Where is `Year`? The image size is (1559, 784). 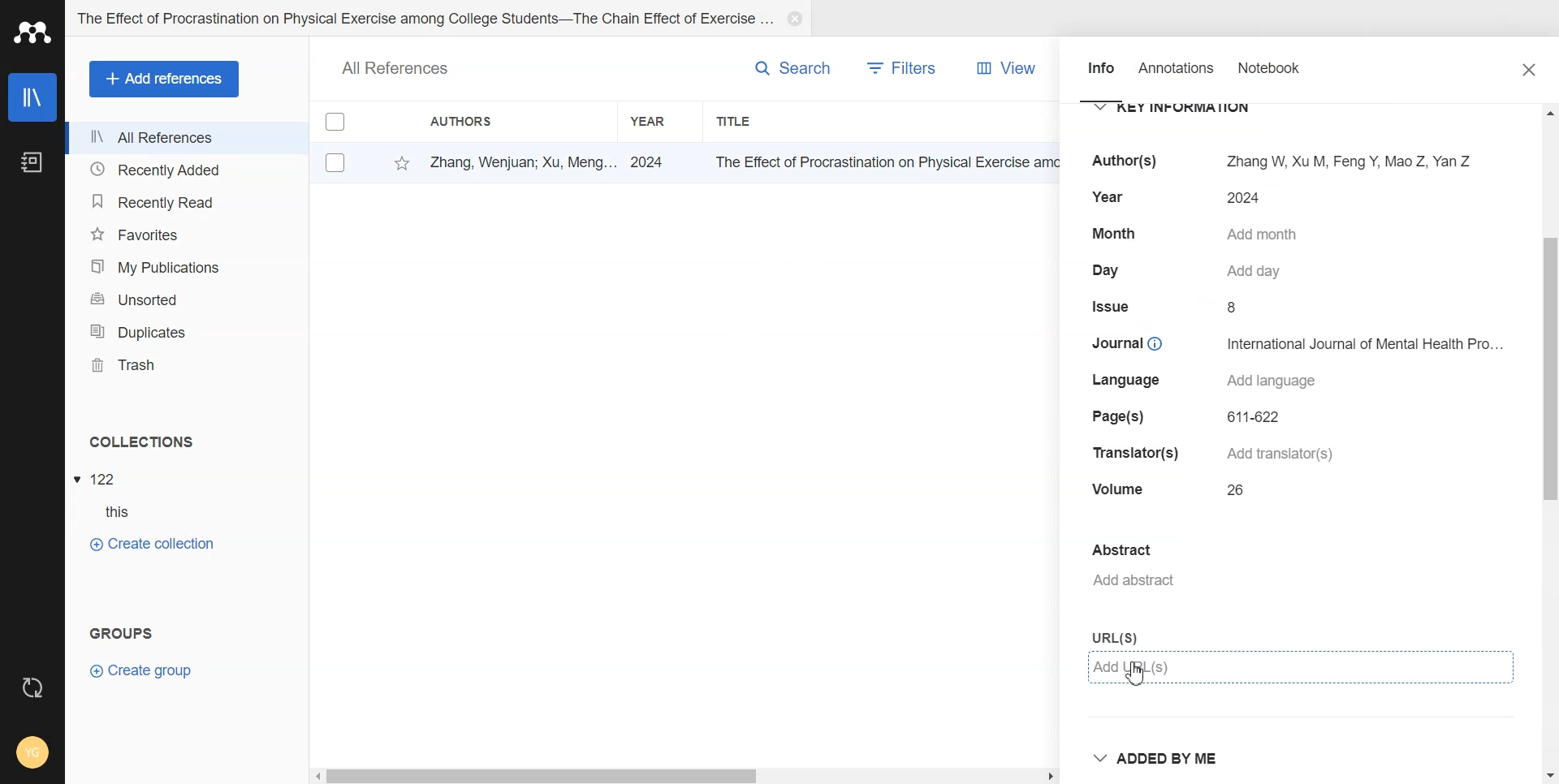 Year is located at coordinates (660, 120).